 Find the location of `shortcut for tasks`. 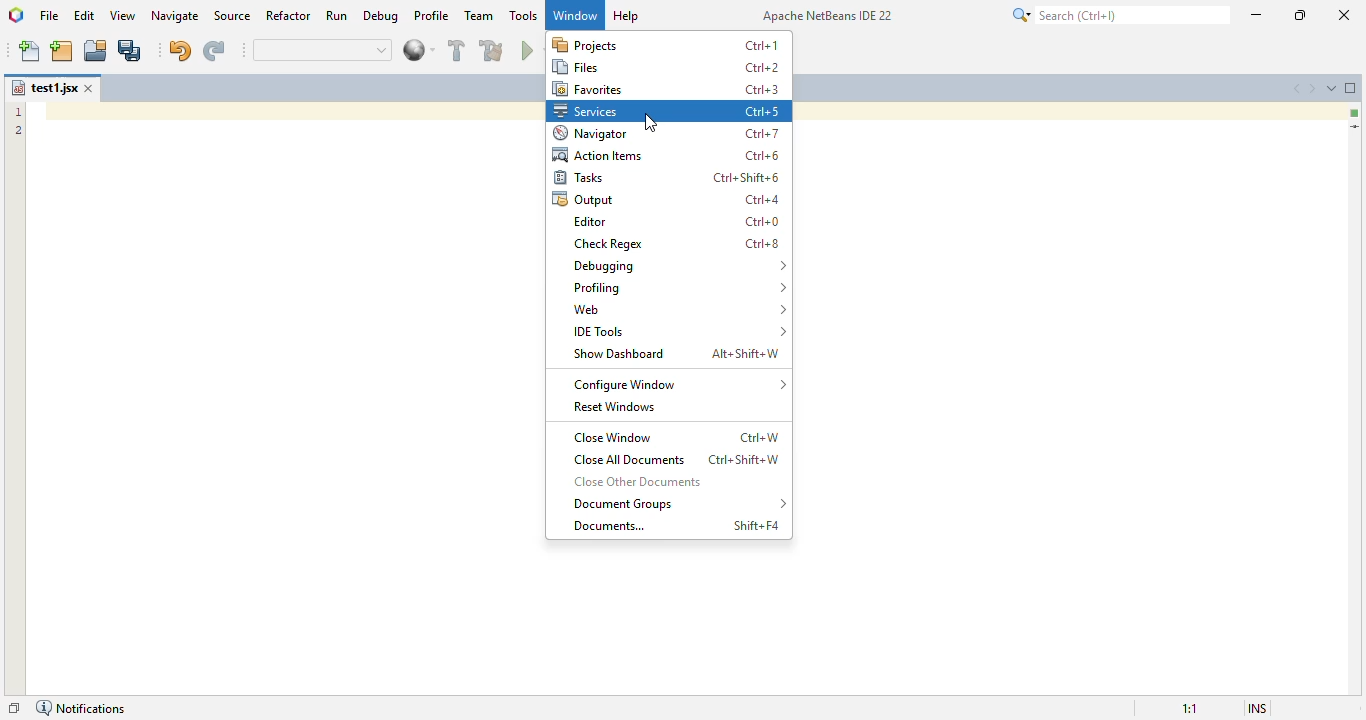

shortcut for tasks is located at coordinates (748, 177).